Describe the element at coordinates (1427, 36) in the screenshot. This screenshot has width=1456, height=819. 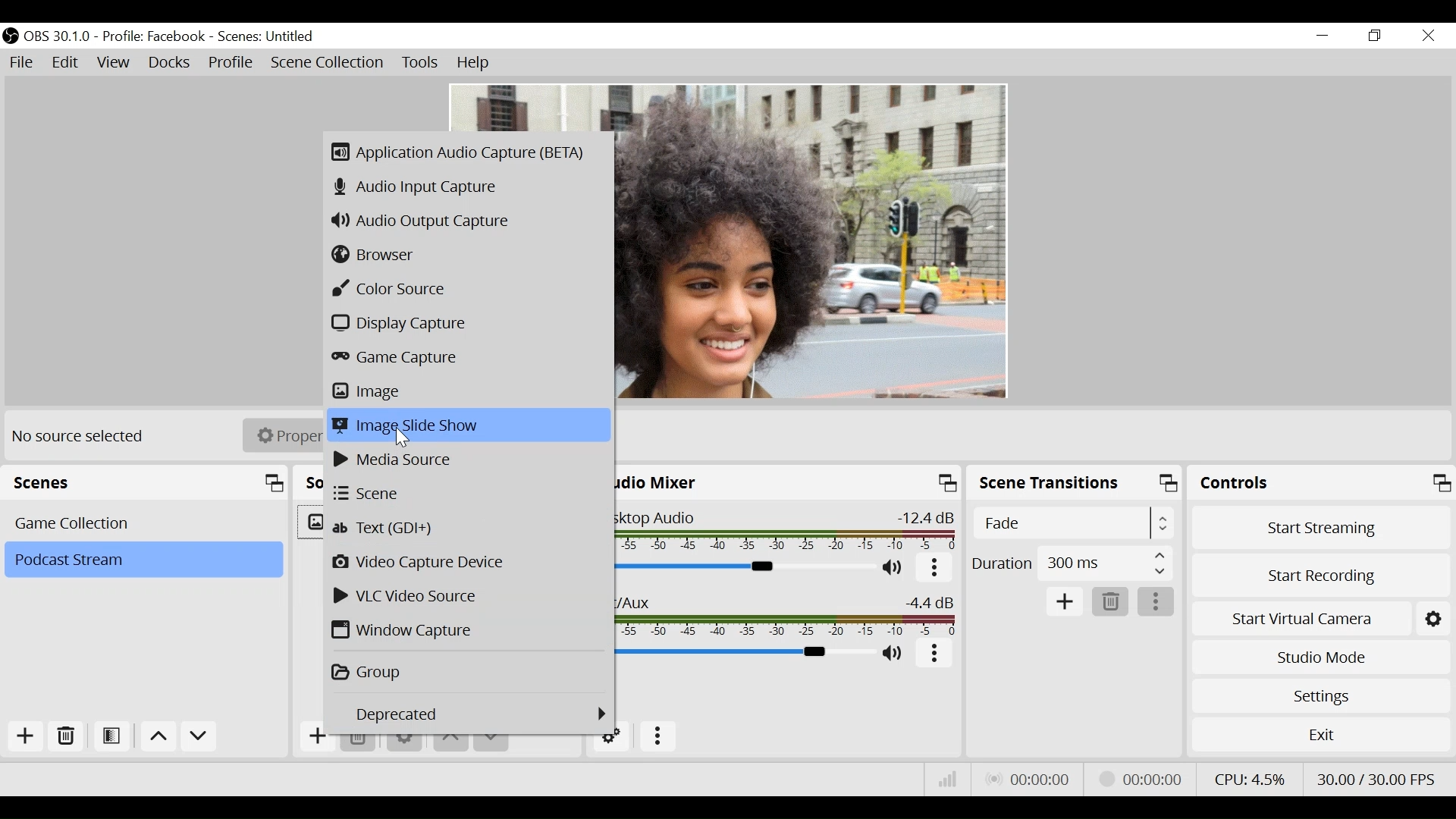
I see `Close` at that location.